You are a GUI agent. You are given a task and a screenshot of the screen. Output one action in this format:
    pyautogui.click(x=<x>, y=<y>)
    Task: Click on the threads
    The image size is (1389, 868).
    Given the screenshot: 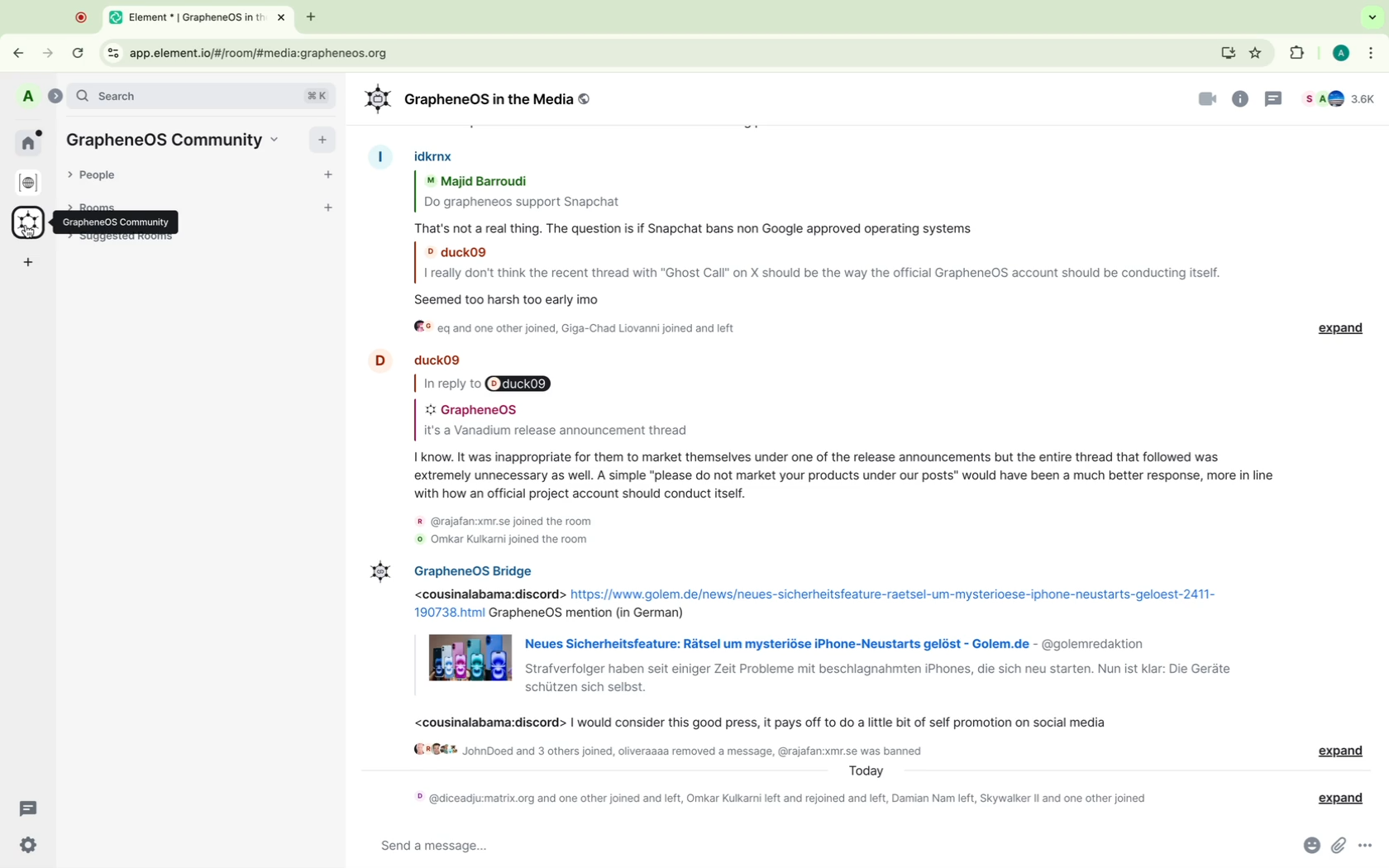 What is the action you would take?
    pyautogui.click(x=1275, y=98)
    